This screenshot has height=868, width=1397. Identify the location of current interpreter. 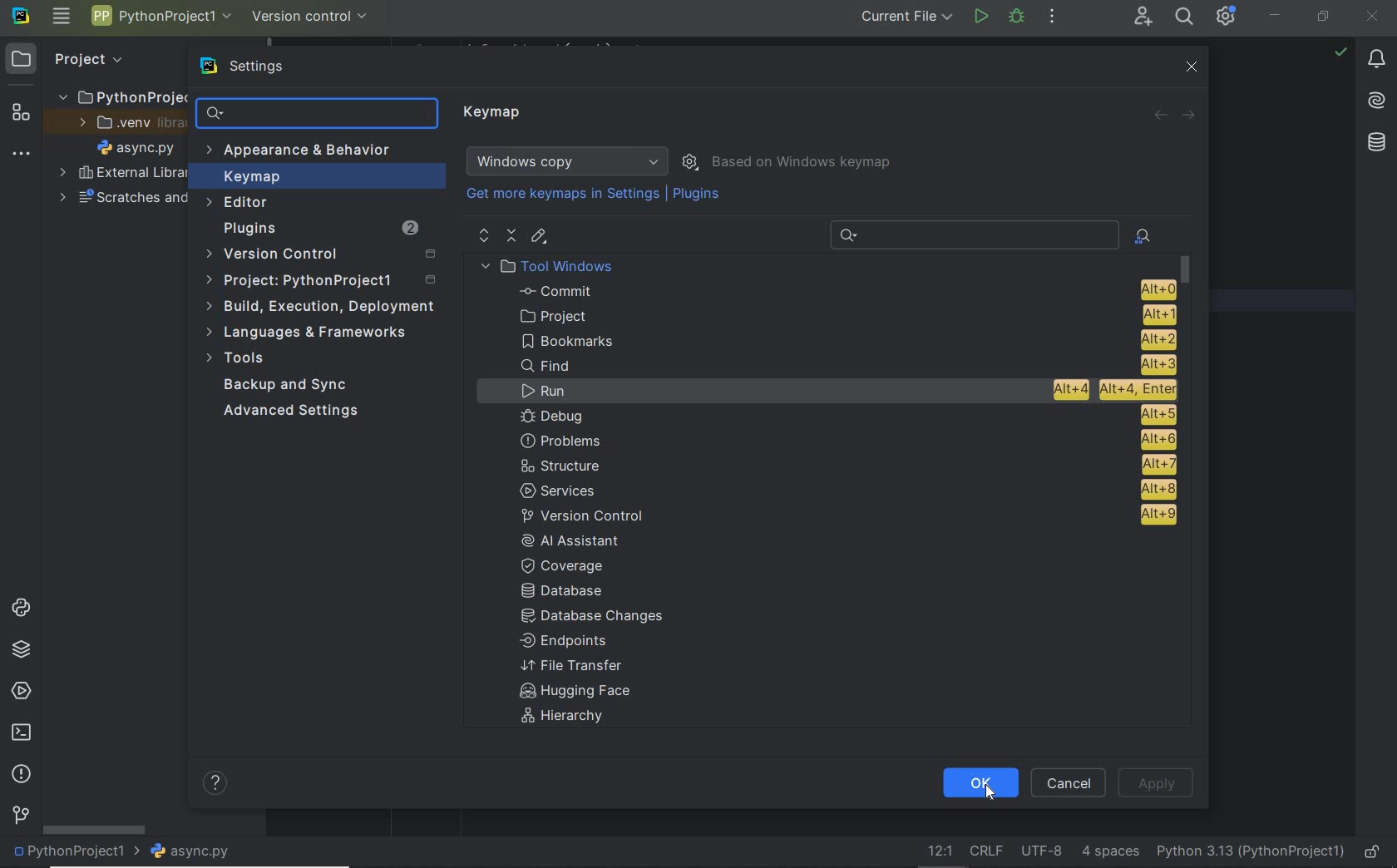
(1251, 853).